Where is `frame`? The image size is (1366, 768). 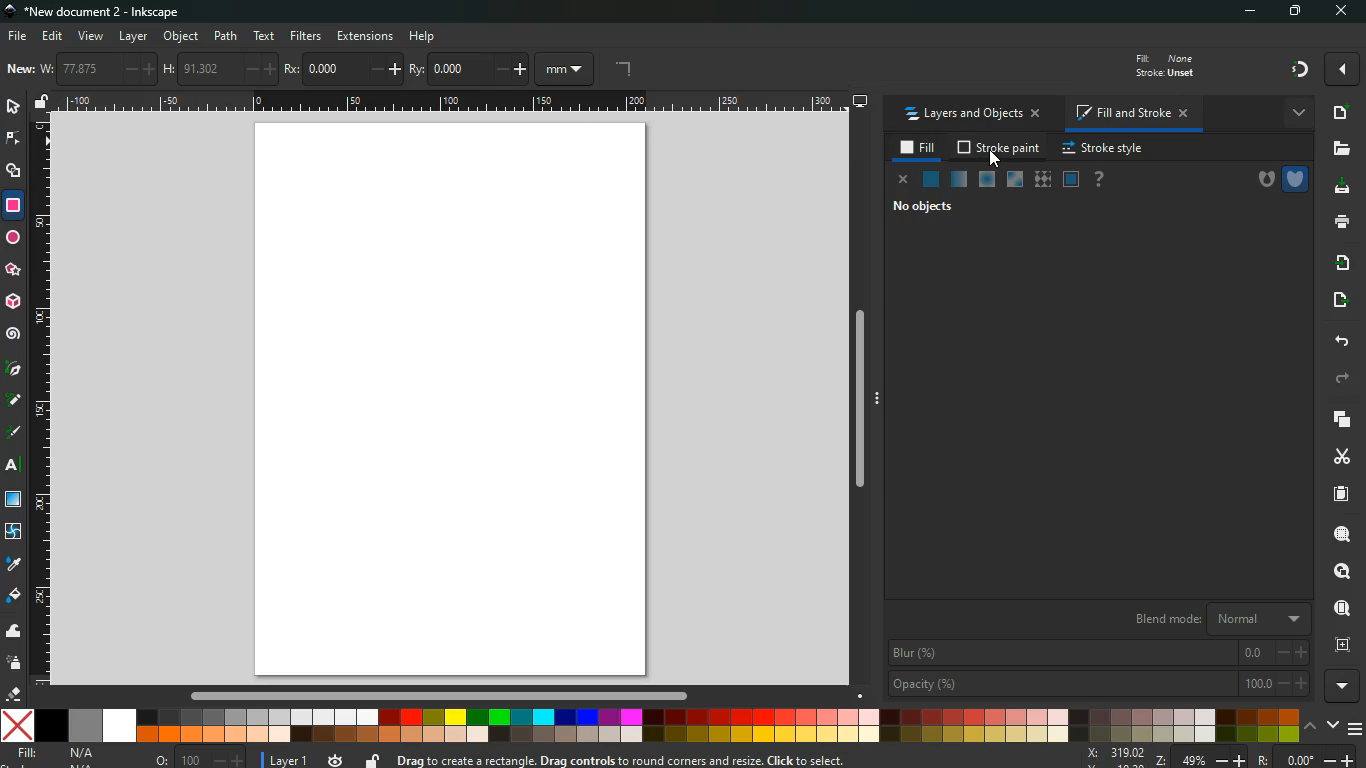
frame is located at coordinates (1341, 645).